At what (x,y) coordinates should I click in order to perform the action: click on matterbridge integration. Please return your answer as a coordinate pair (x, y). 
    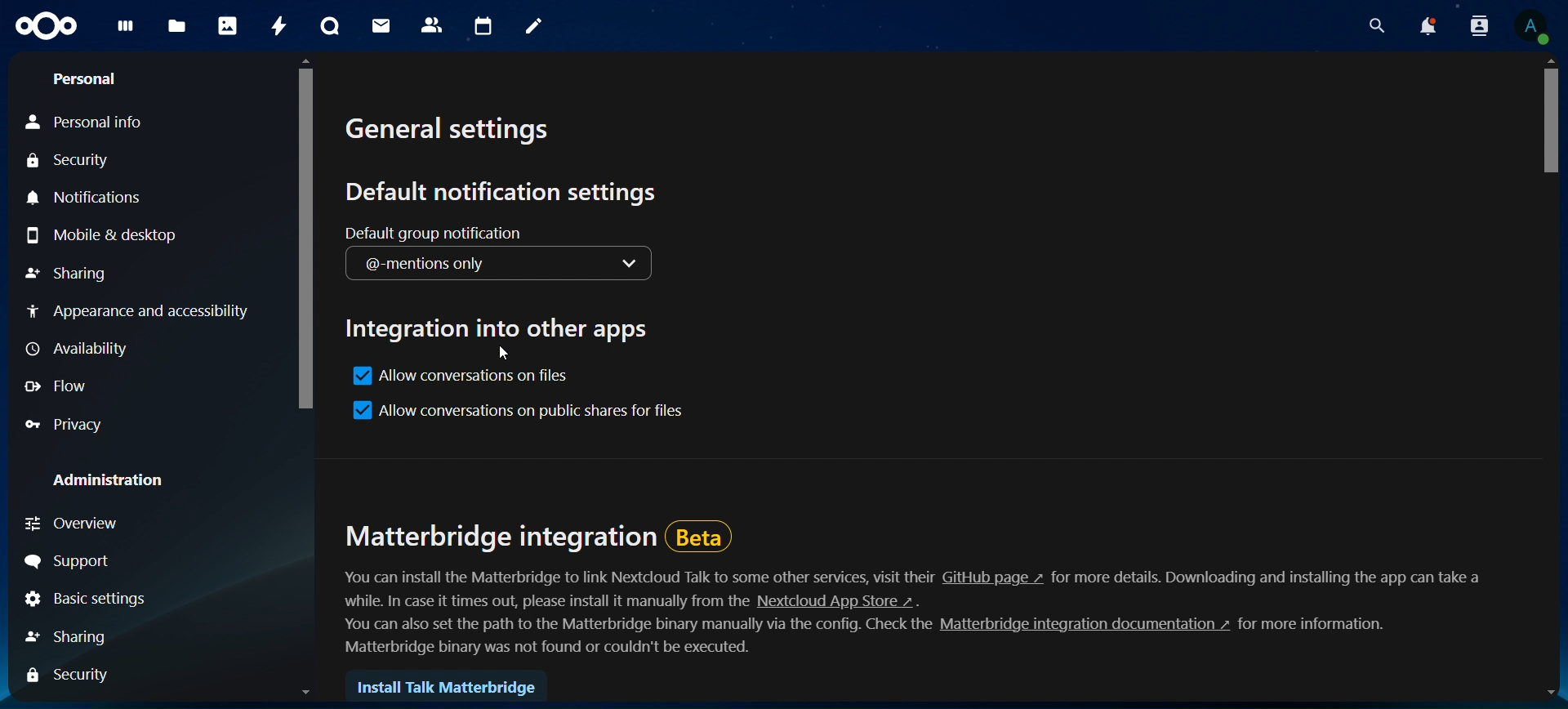
    Looking at the image, I should click on (541, 533).